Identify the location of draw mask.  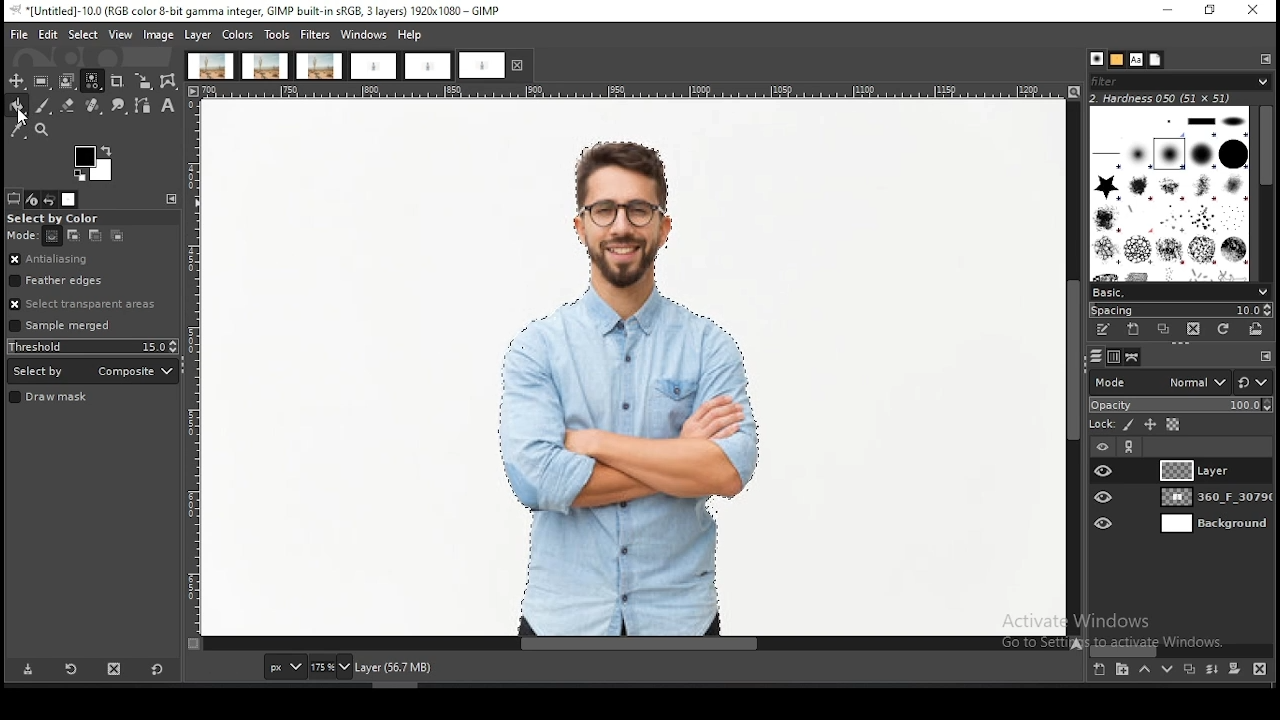
(51, 397).